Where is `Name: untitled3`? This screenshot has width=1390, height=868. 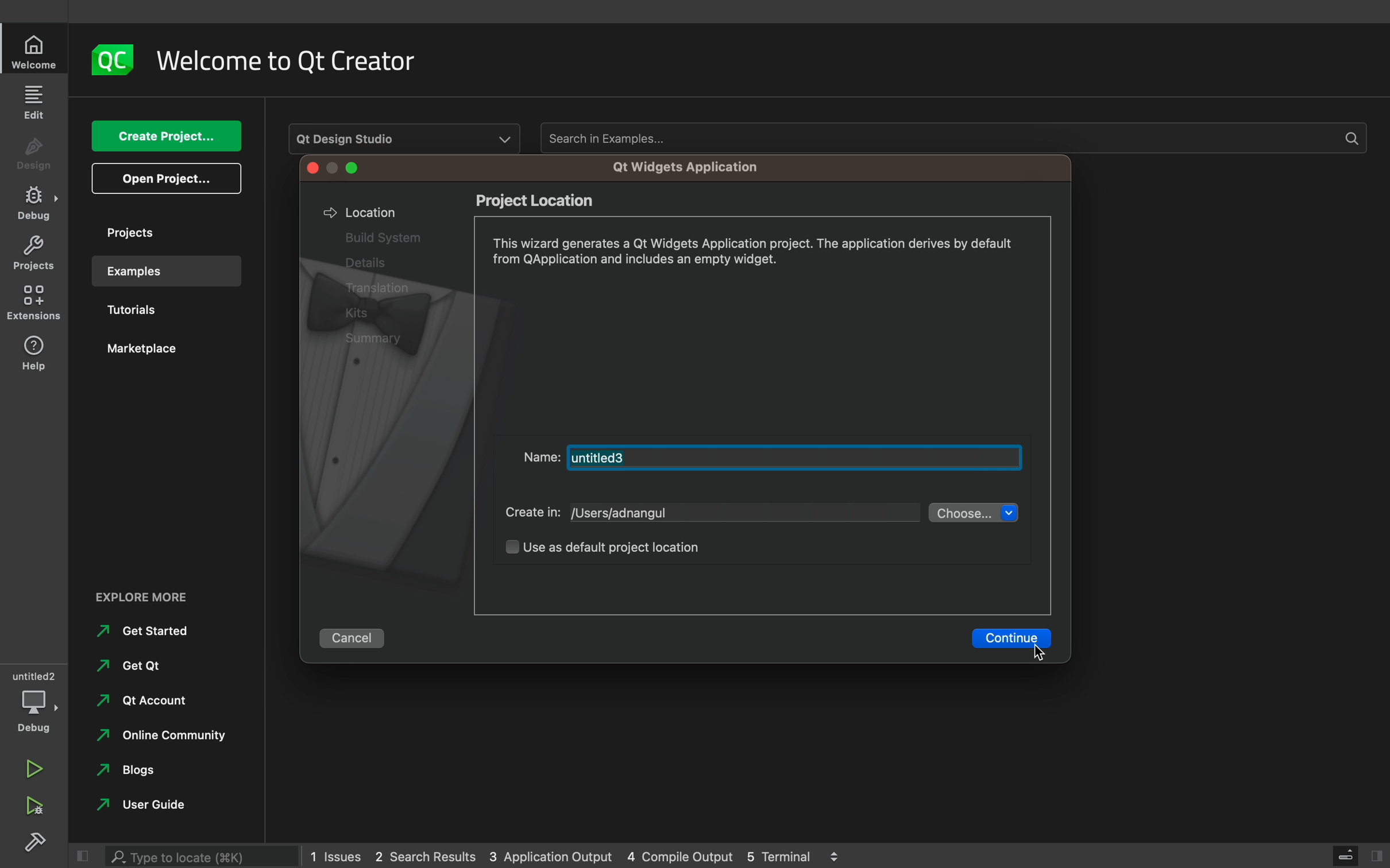
Name: untitled3 is located at coordinates (772, 456).